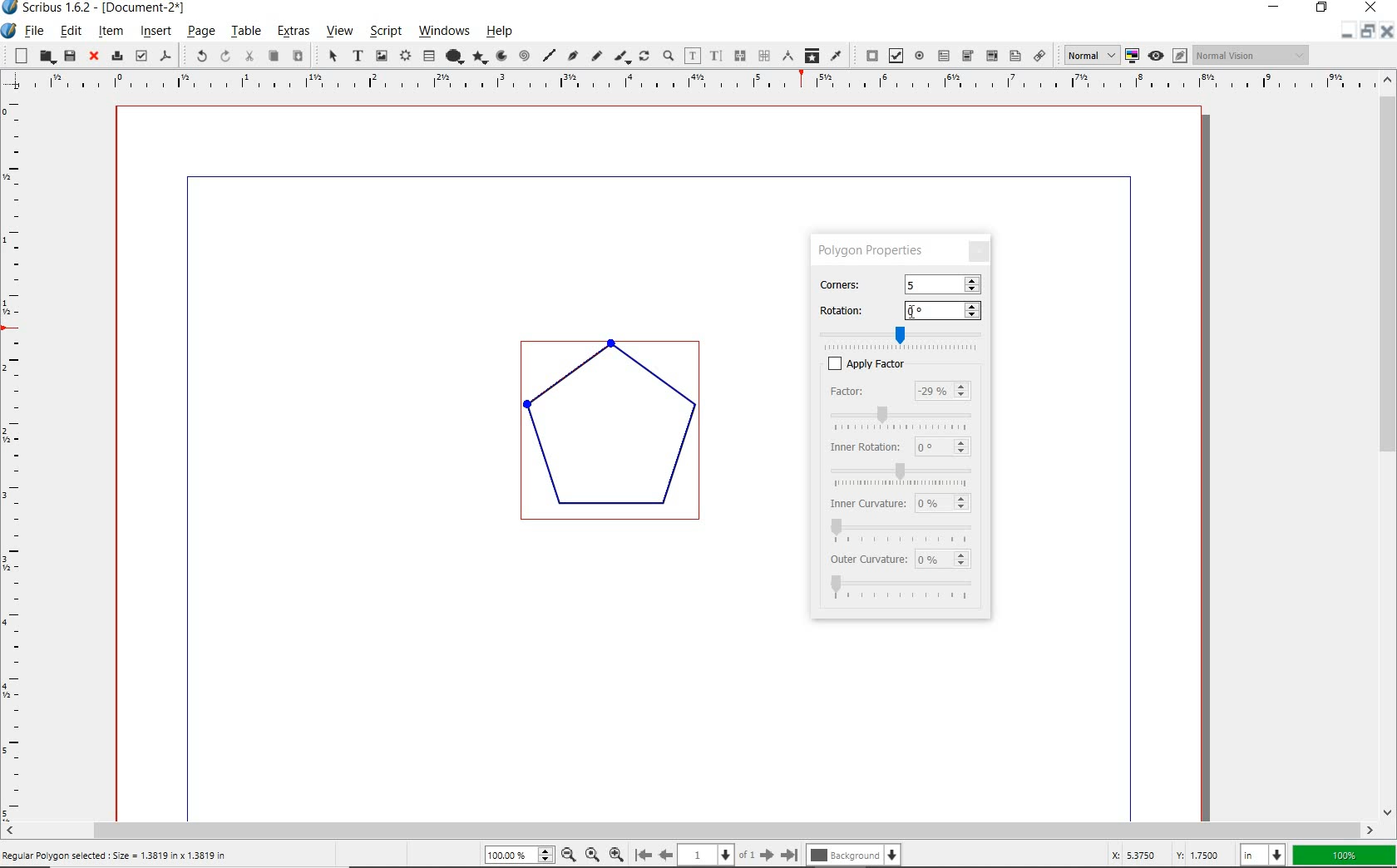  I want to click on select image preview quality, so click(1086, 55).